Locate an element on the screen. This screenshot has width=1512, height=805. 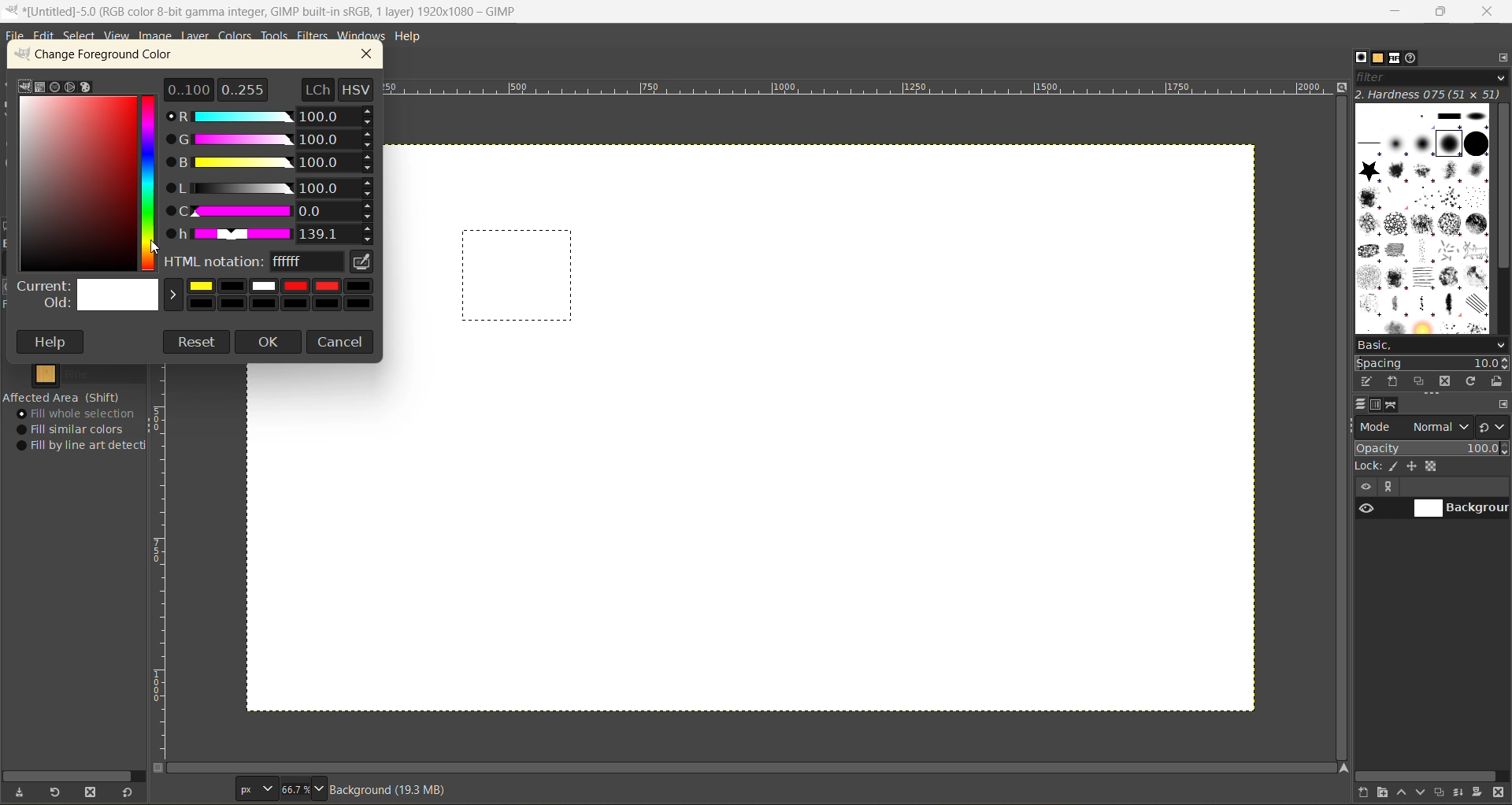
document history is located at coordinates (1413, 59).